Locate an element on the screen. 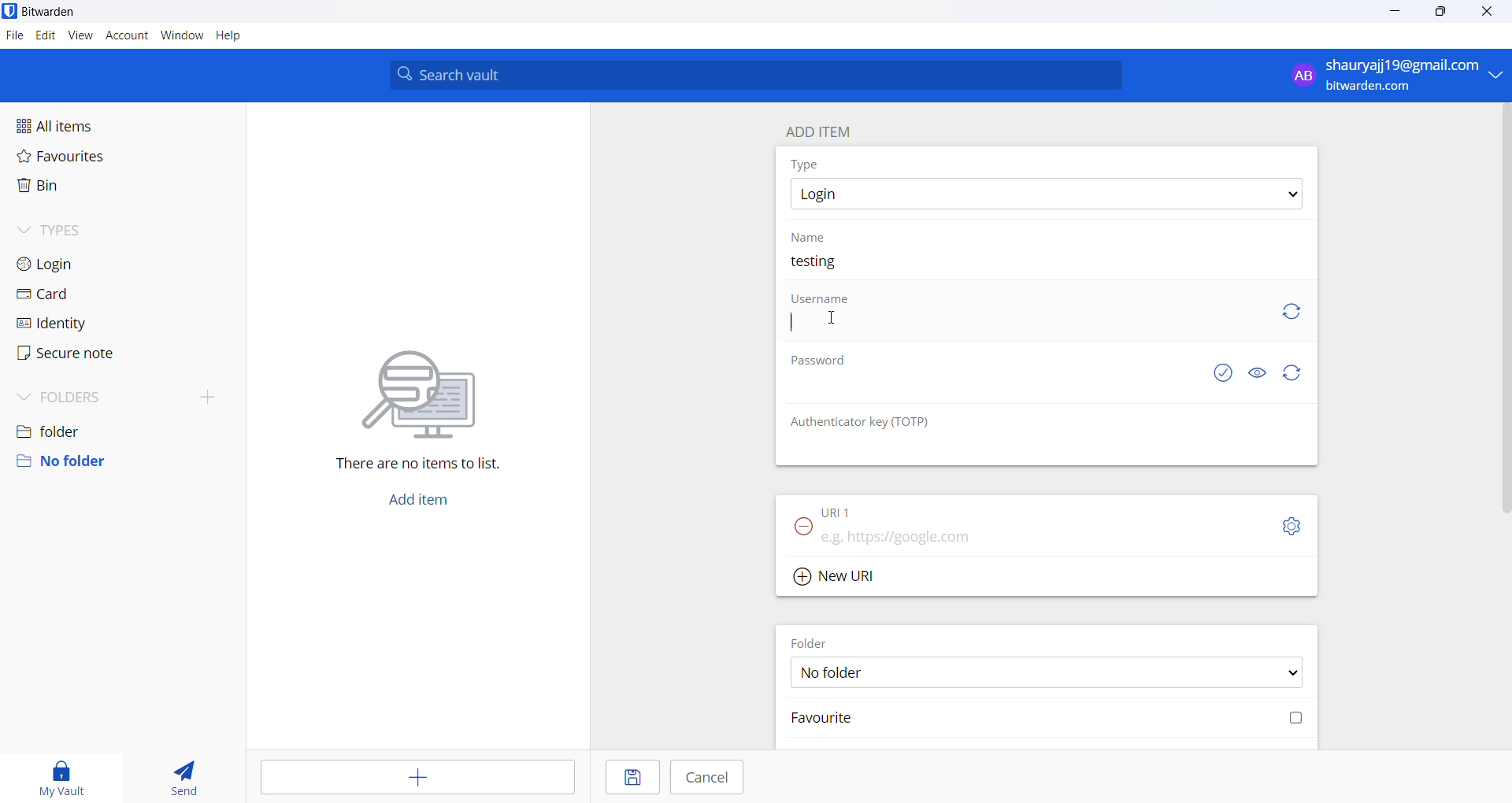 The width and height of the screenshot is (1512, 803). application name and logo is located at coordinates (58, 13).